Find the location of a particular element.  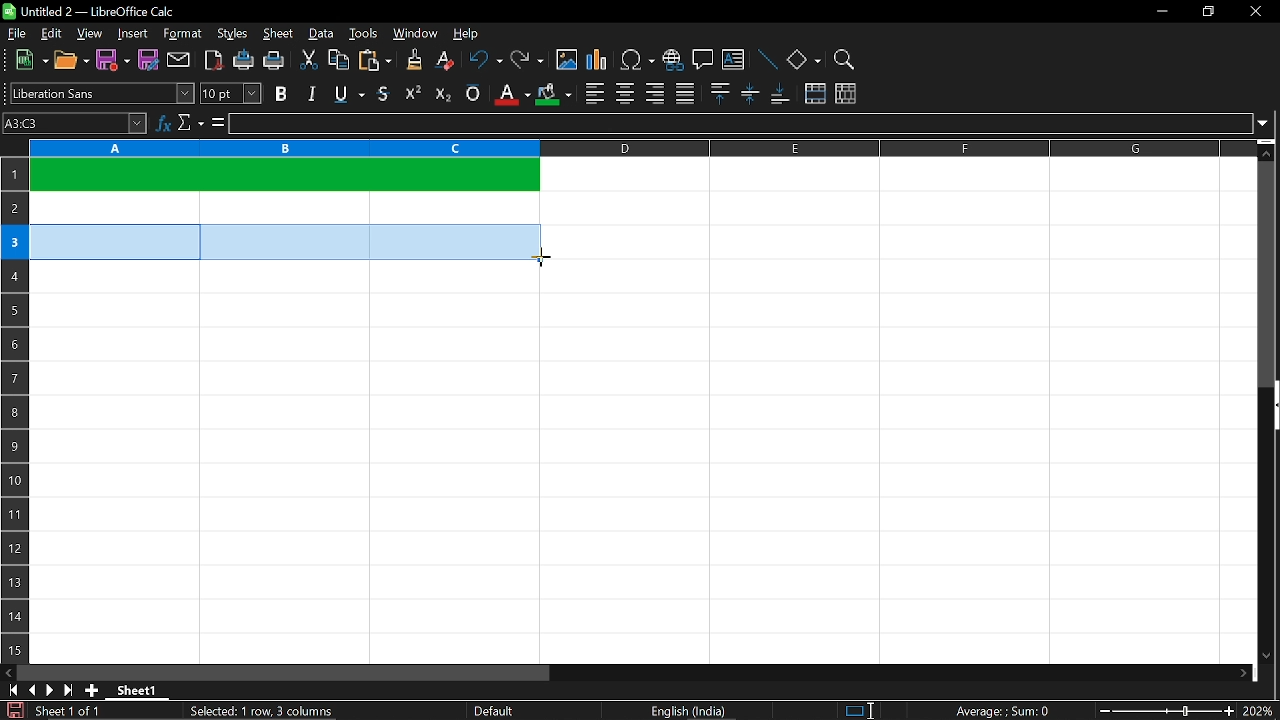

go to first page is located at coordinates (10, 691).